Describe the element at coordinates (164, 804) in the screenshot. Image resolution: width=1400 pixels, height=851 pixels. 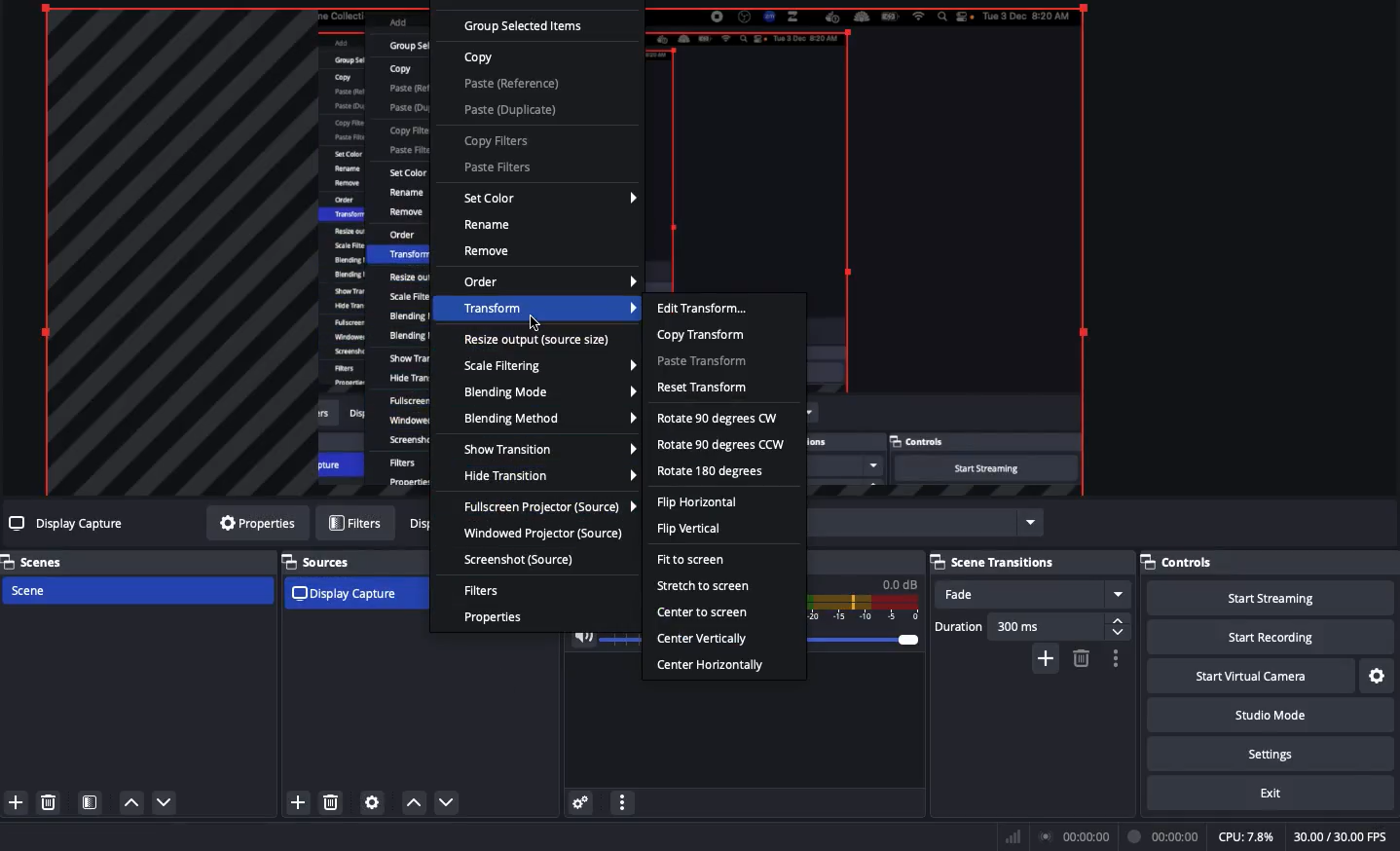
I see `Move down` at that location.